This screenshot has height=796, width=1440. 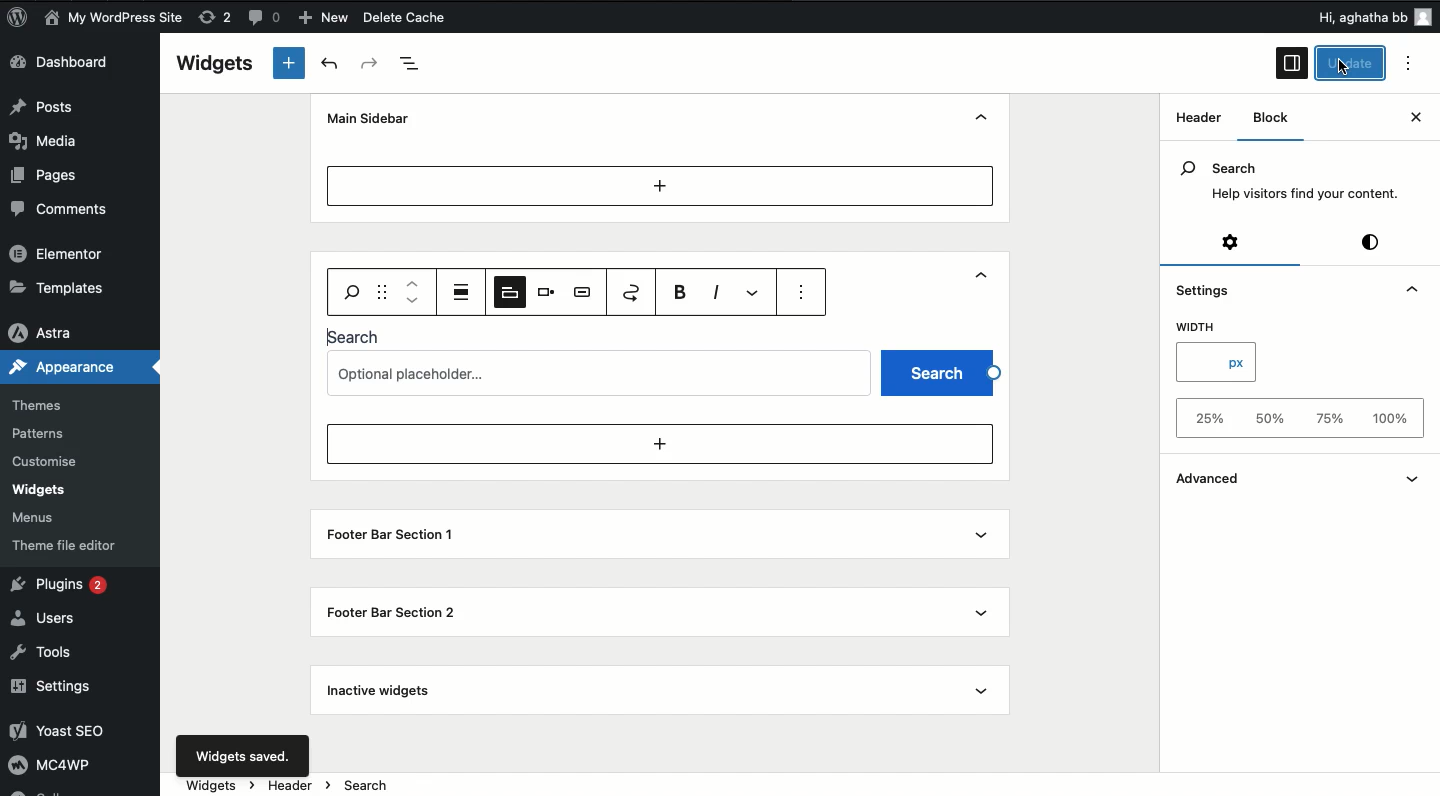 I want to click on Undo, so click(x=329, y=64).